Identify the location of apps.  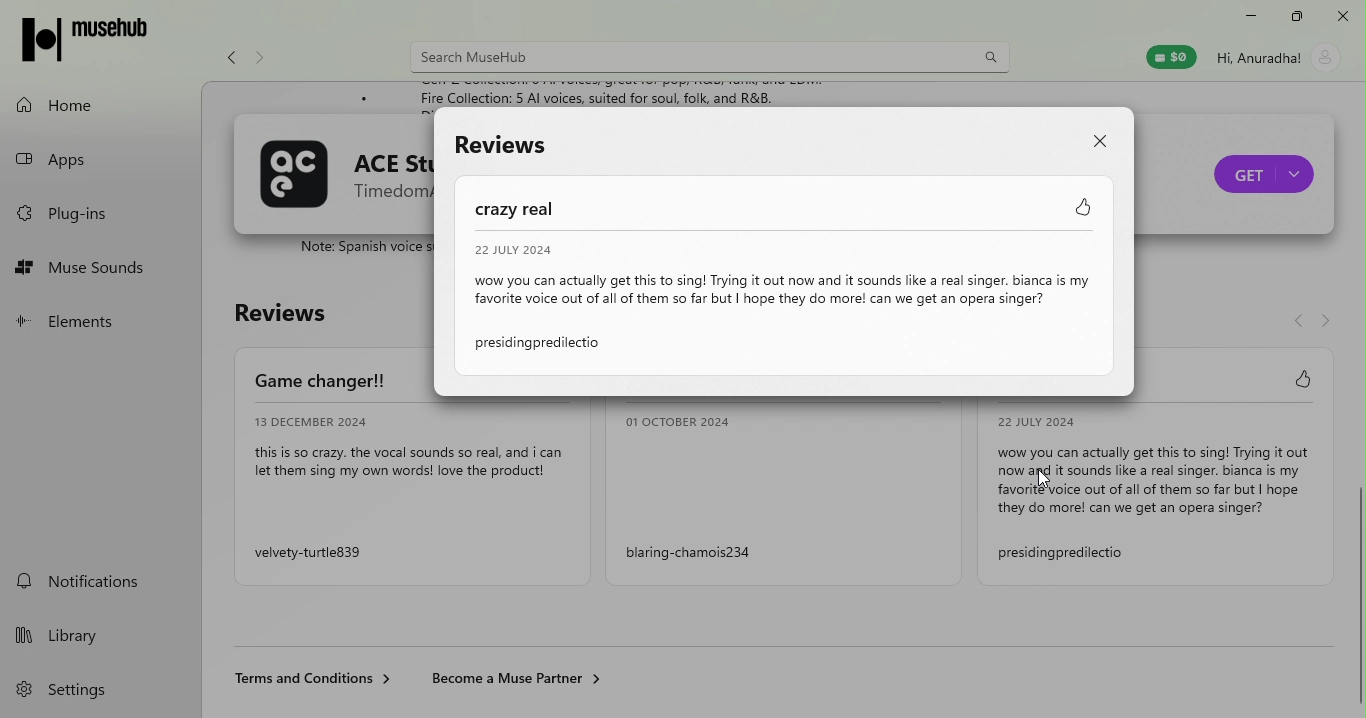
(102, 158).